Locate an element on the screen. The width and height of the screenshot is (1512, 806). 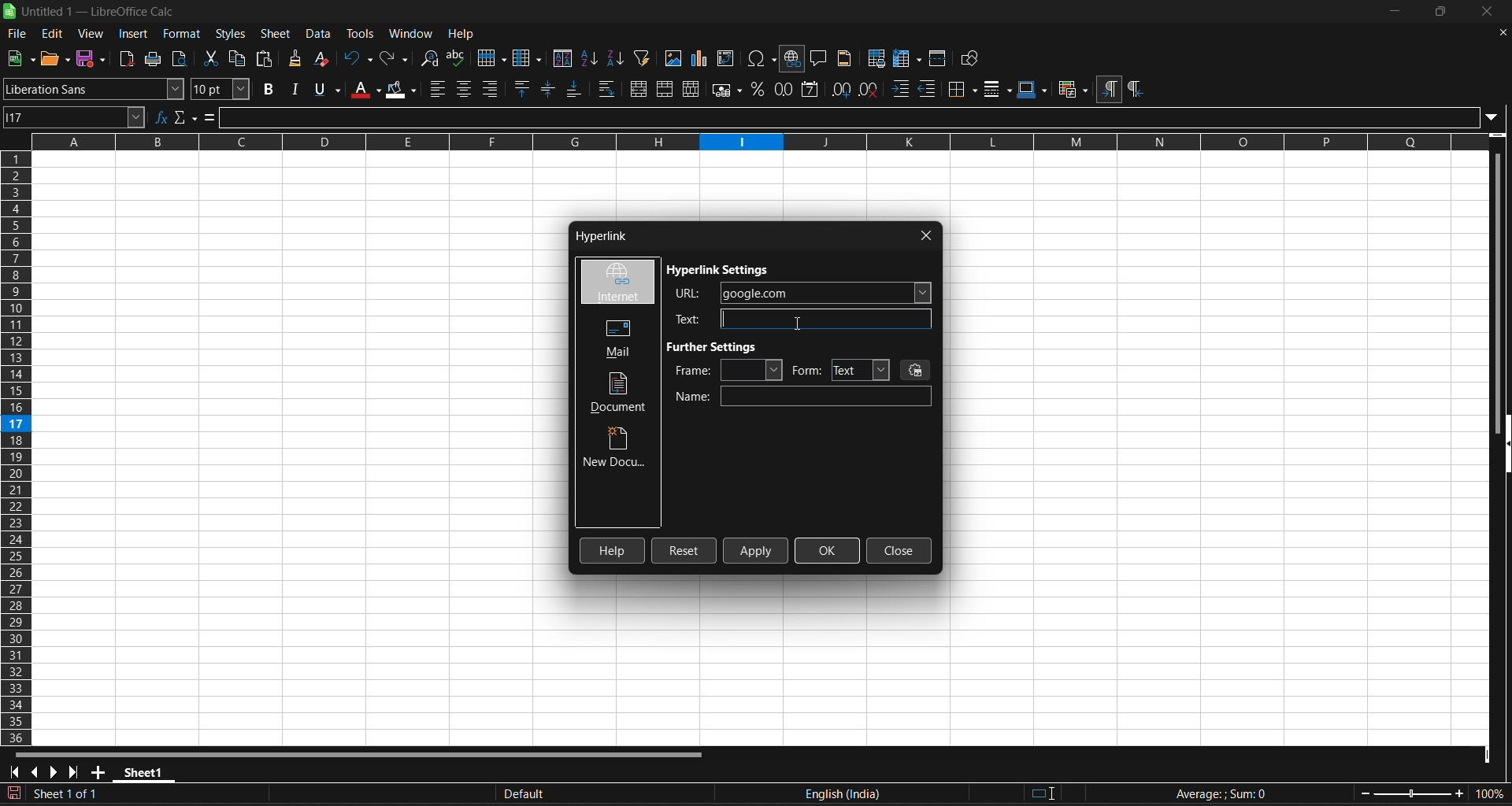
view is located at coordinates (91, 33).